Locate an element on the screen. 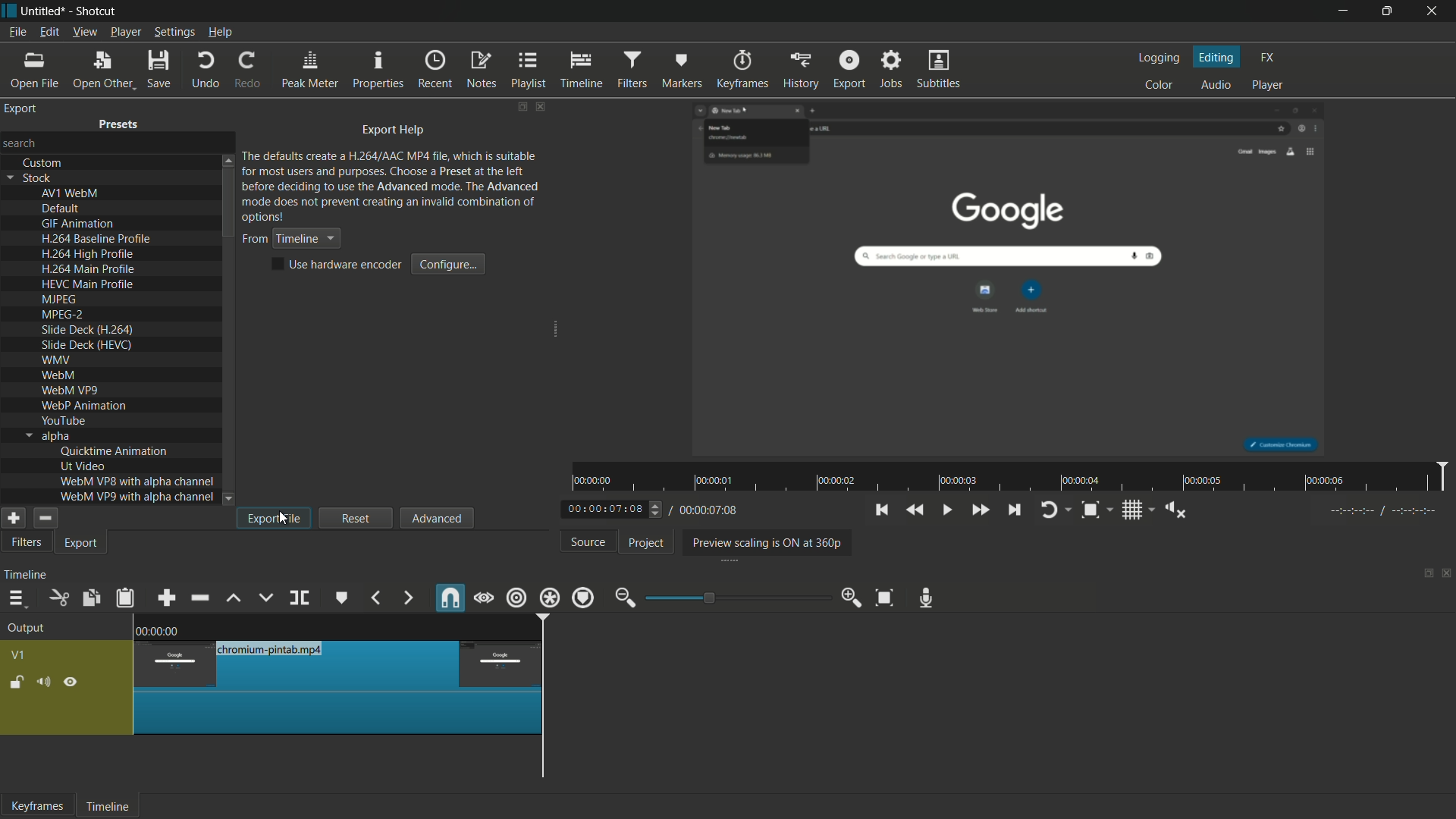 The height and width of the screenshot is (819, 1456). ripple markers is located at coordinates (583, 598).